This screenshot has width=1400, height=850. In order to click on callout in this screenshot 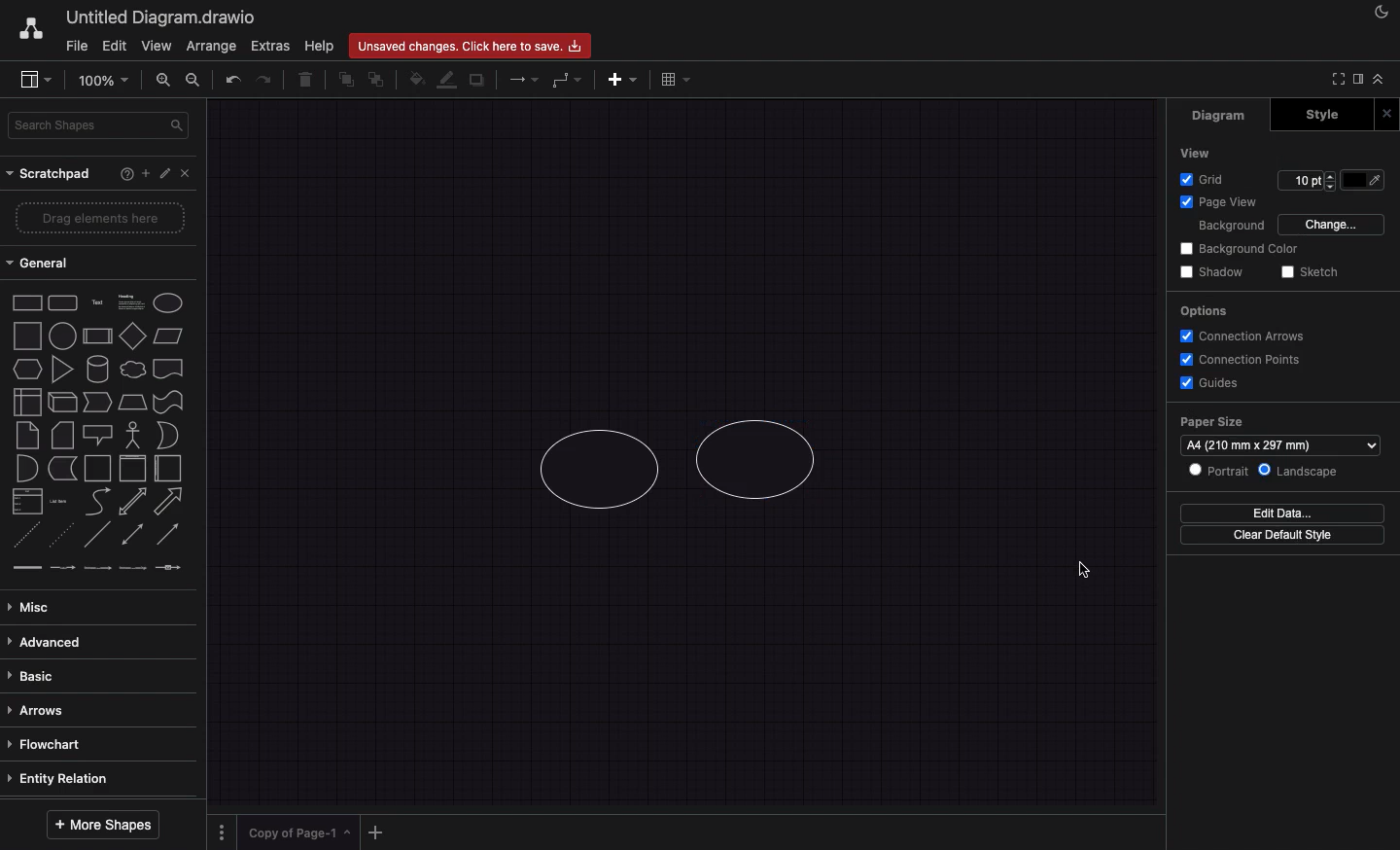, I will do `click(99, 436)`.